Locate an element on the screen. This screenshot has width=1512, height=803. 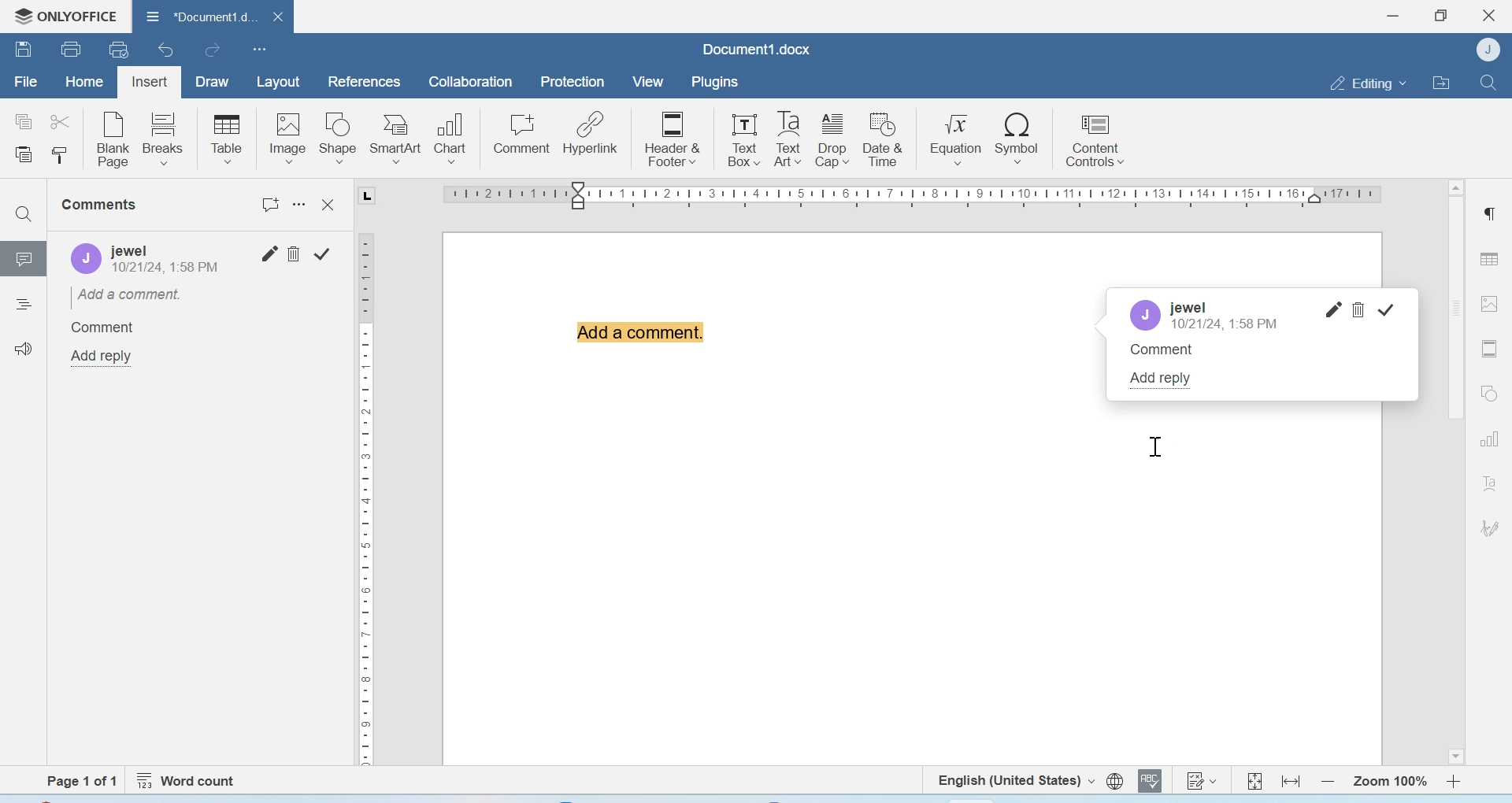
Equation is located at coordinates (956, 137).